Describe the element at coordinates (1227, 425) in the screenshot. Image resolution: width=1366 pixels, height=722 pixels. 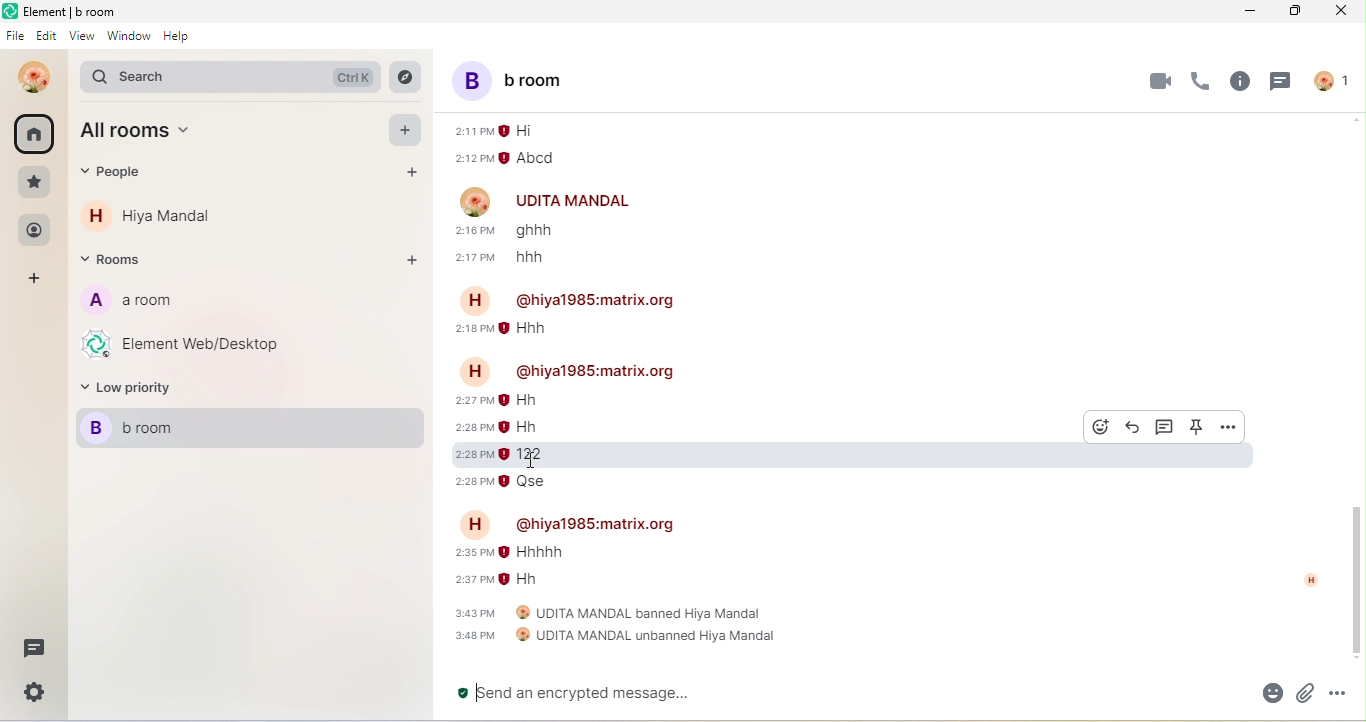
I see `option` at that location.